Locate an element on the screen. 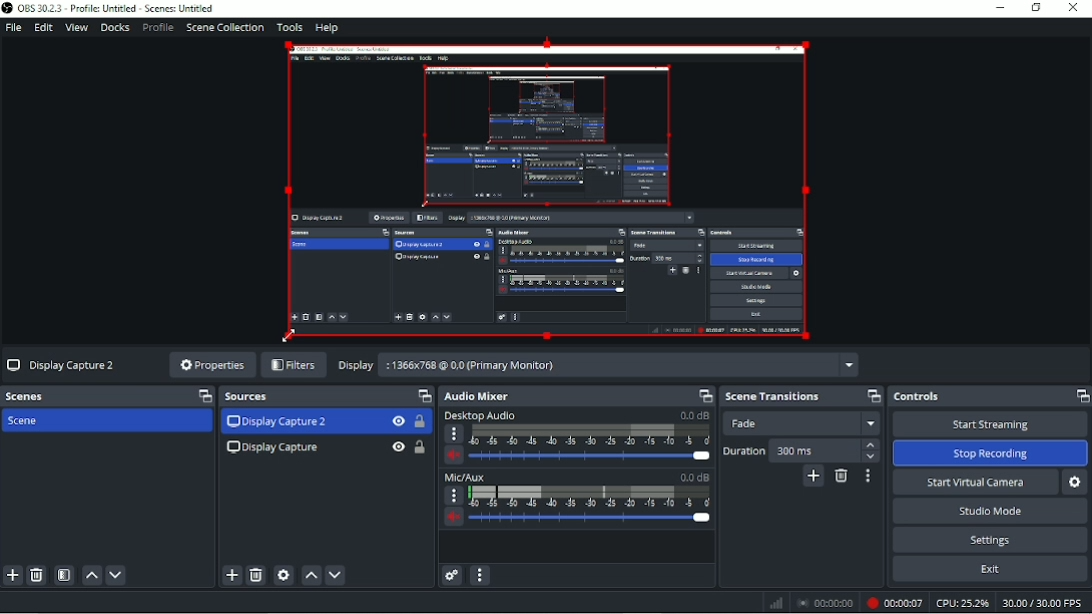 The height and width of the screenshot is (614, 1092). Controls is located at coordinates (917, 397).